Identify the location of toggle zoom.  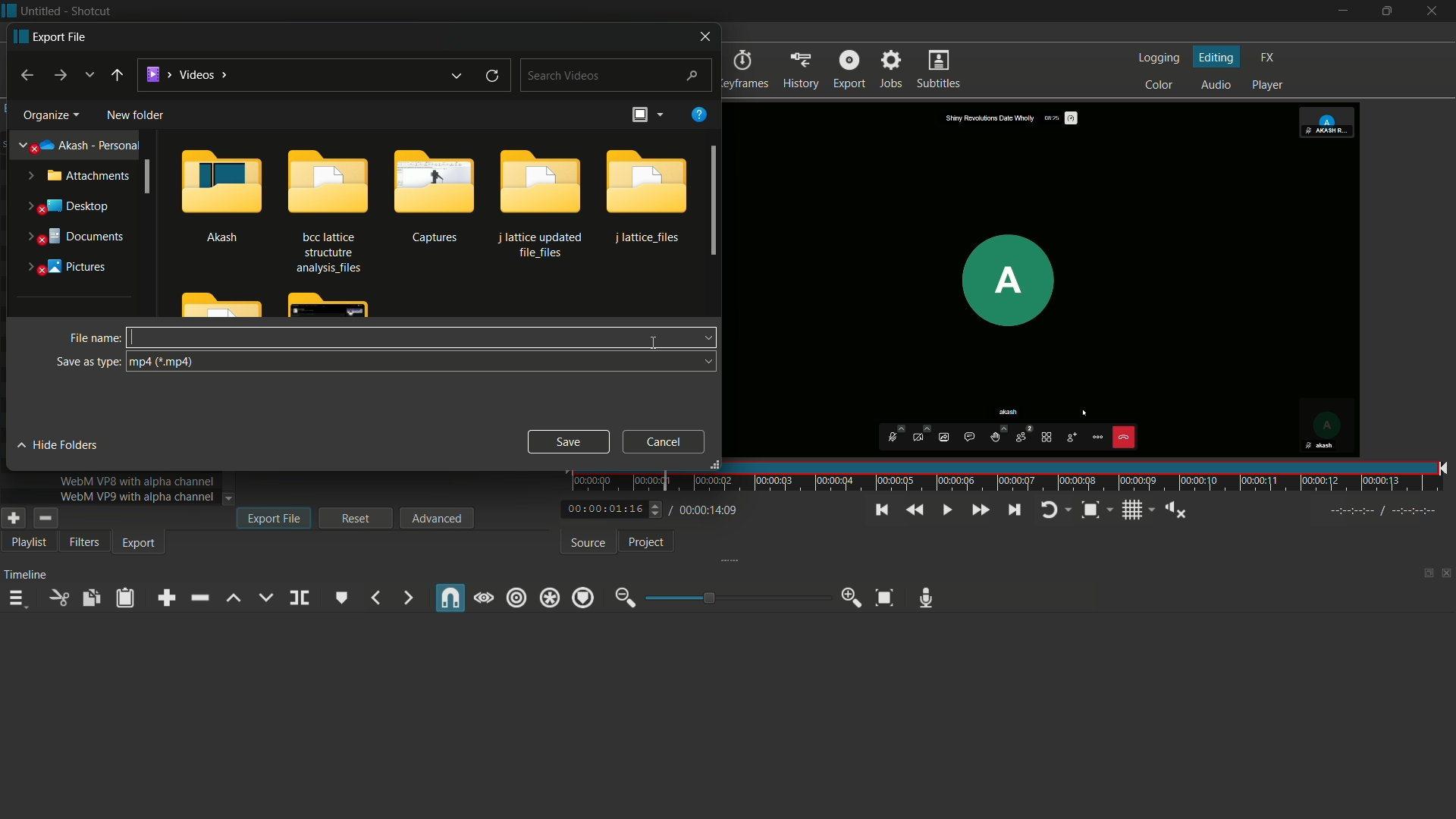
(1090, 510).